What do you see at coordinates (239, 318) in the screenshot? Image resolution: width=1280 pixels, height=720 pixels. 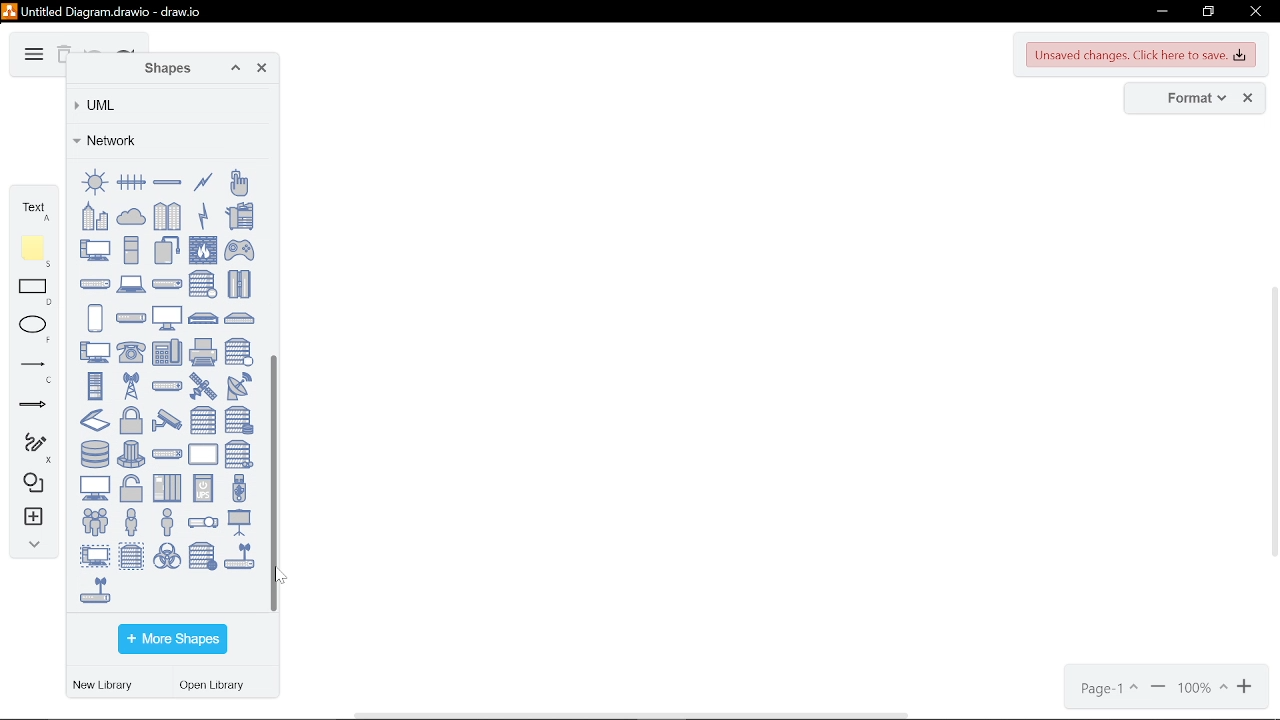 I see `patch panel` at bounding box center [239, 318].